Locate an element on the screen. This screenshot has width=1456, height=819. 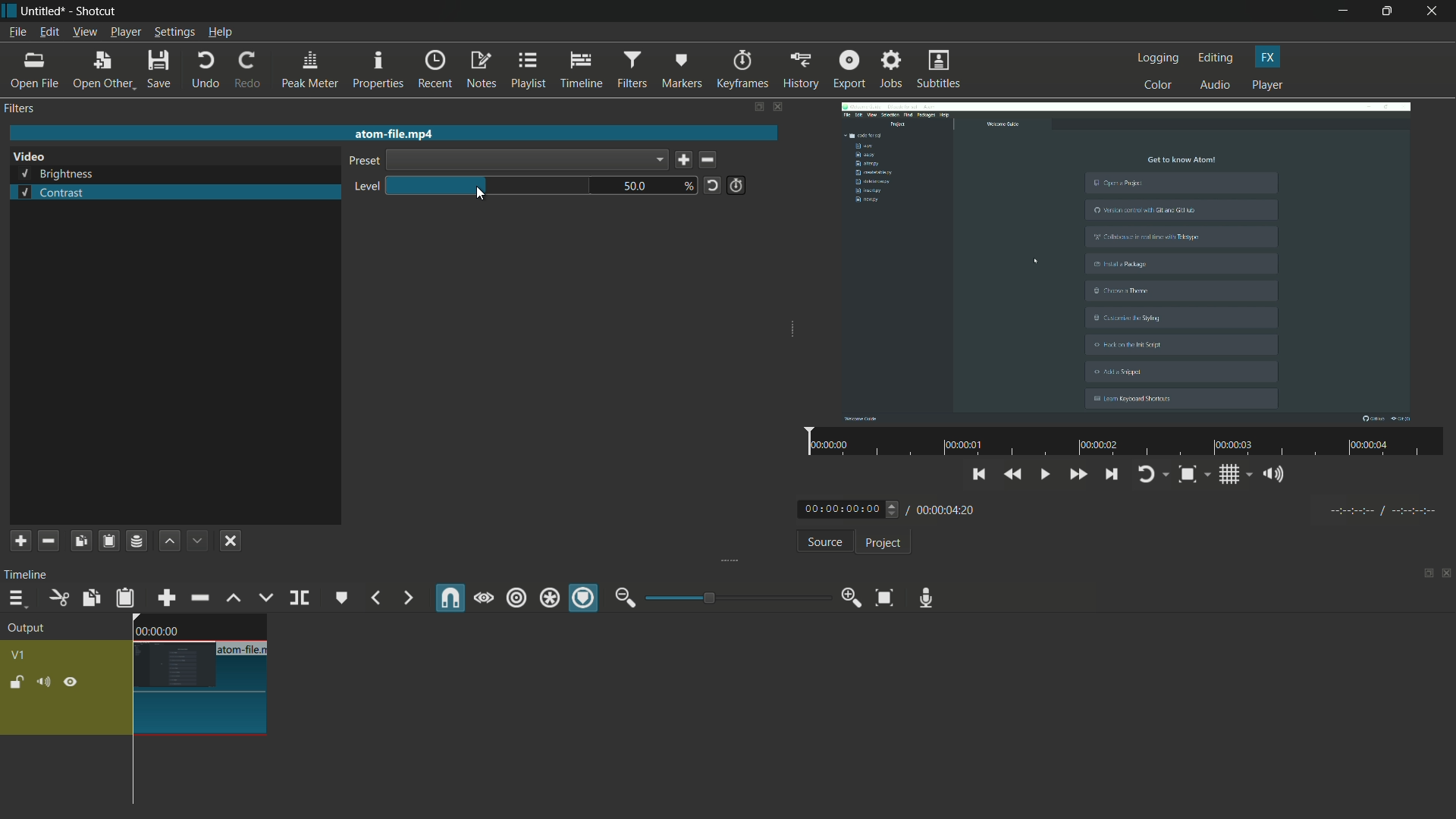
atom-file.mp4 is located at coordinates (393, 133).